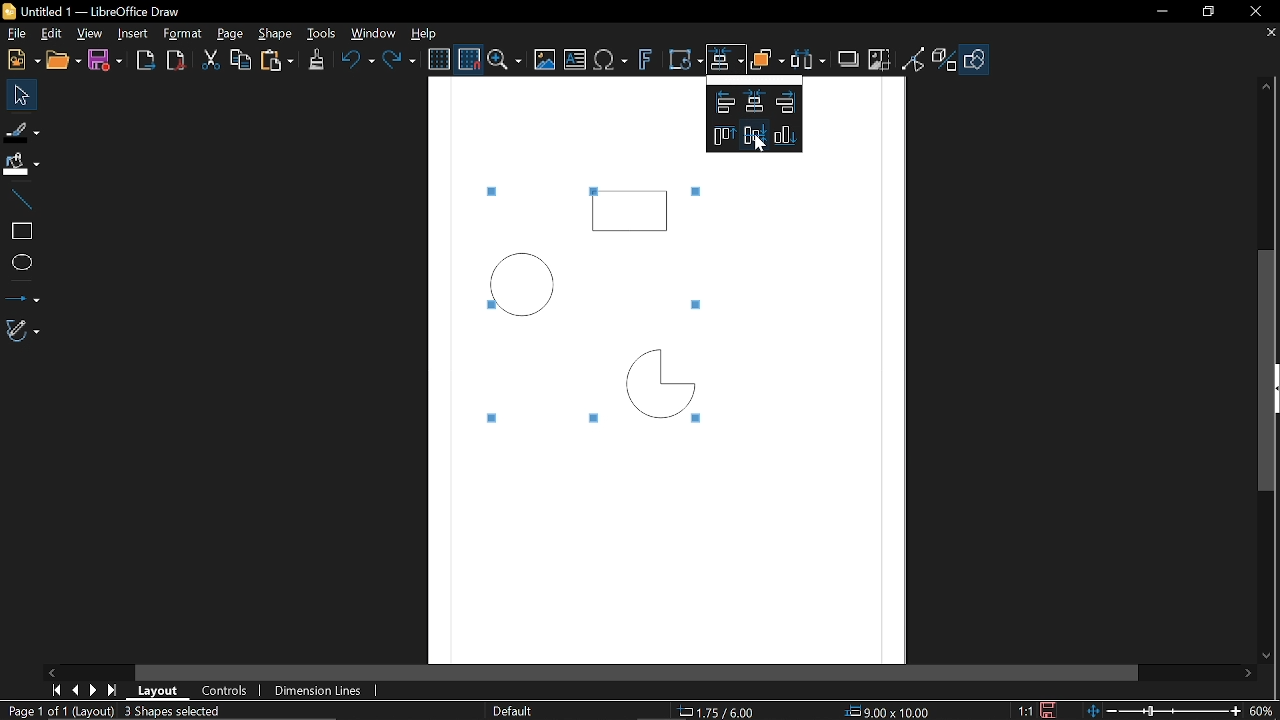 This screenshot has height=720, width=1280. Describe the element at coordinates (486, 422) in the screenshot. I see `Tiny square marked around the selected objects` at that location.